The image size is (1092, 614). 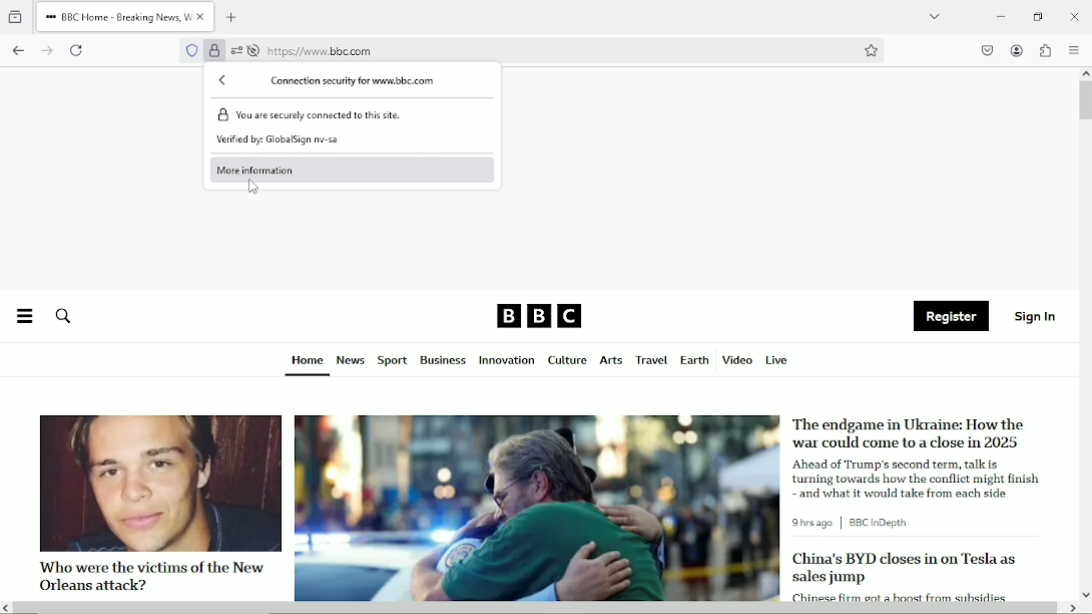 What do you see at coordinates (192, 50) in the screenshot?
I see `No trackers known to firefox were detected on this page` at bounding box center [192, 50].